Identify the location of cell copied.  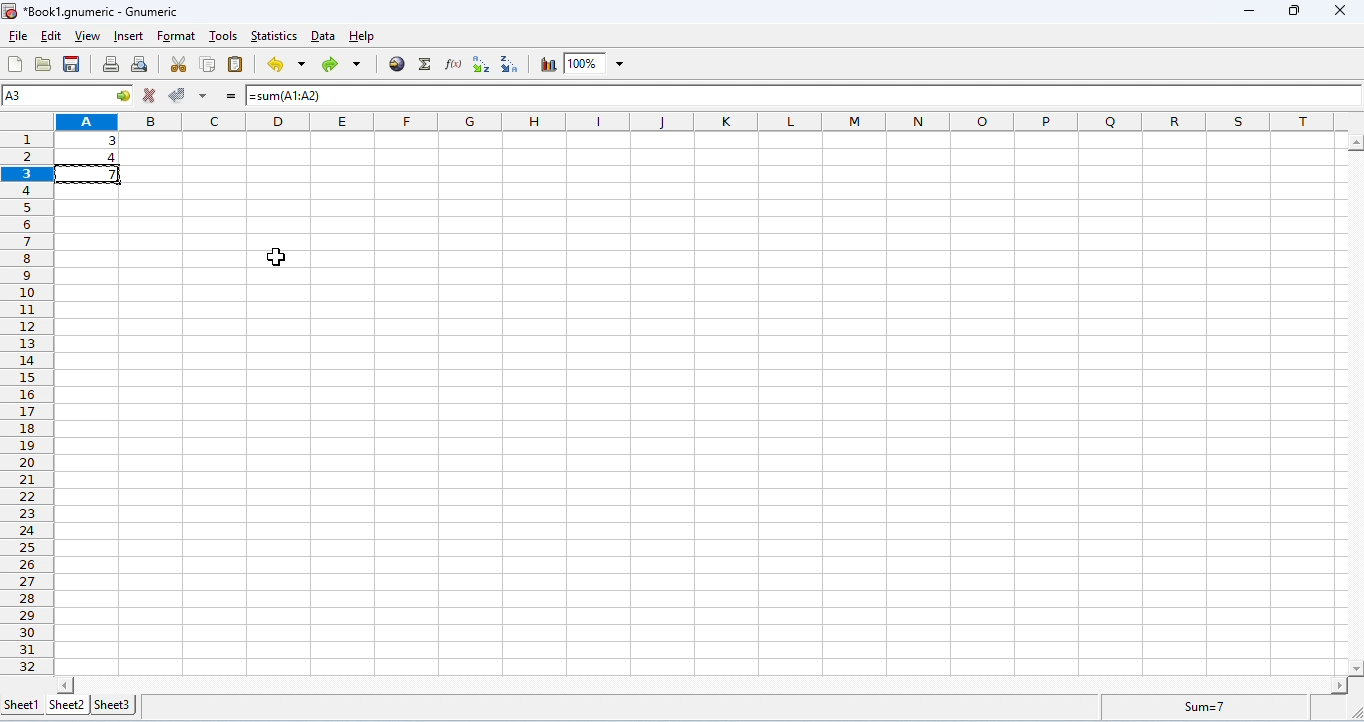
(90, 173).